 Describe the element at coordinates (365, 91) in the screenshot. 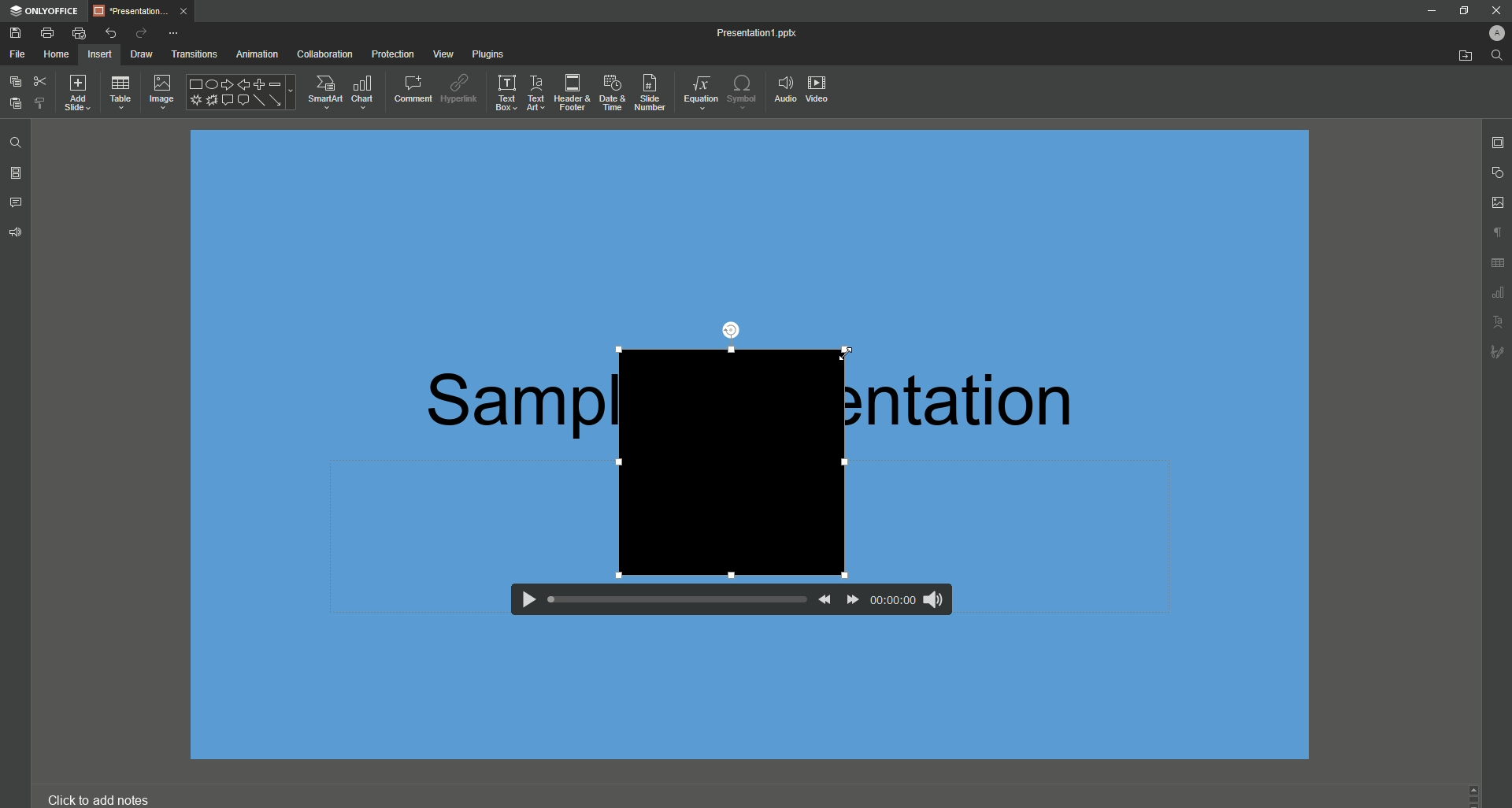

I see `Chart` at that location.